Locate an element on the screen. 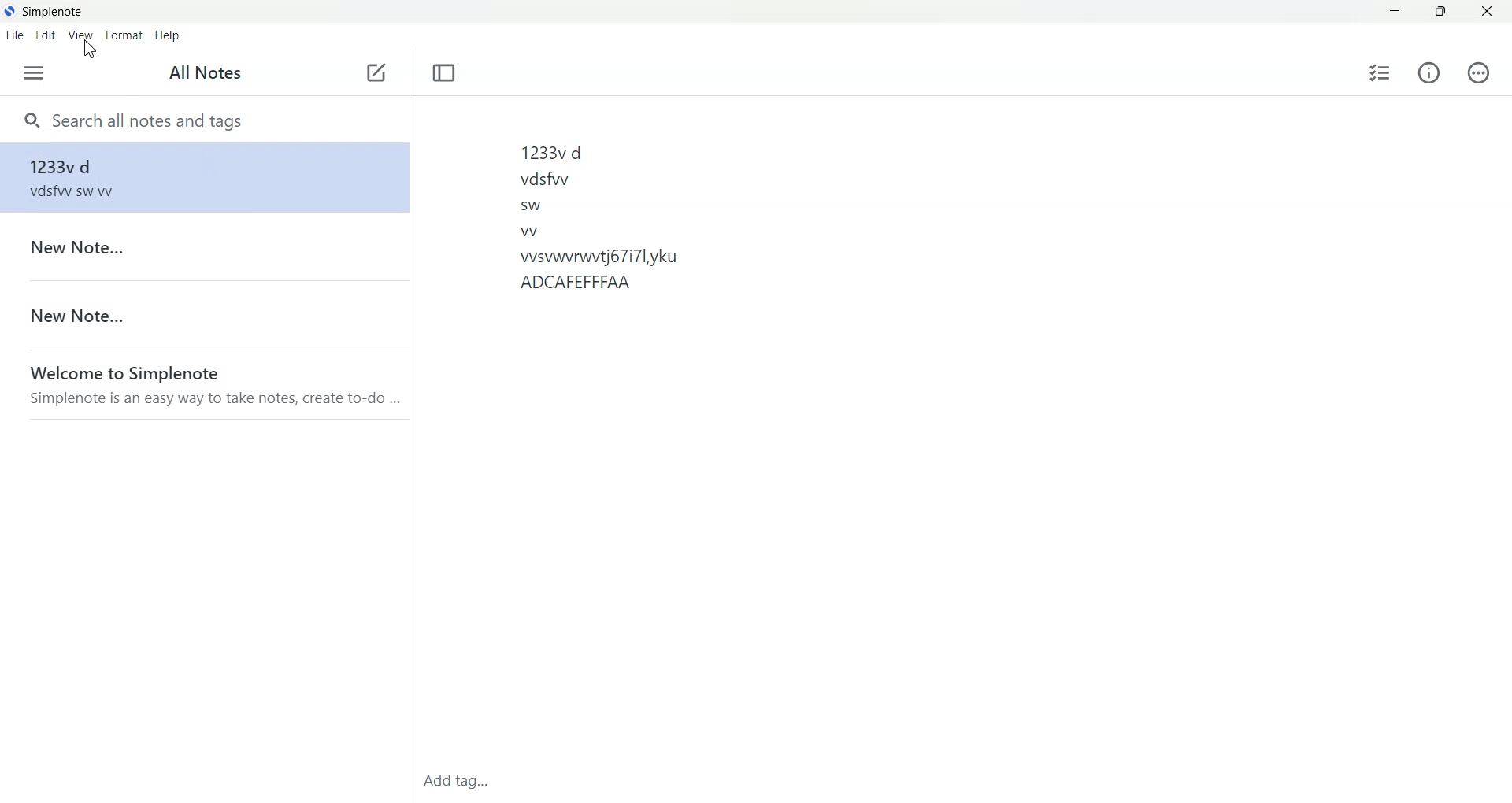 Image resolution: width=1512 pixels, height=803 pixels. All Notes is located at coordinates (208, 76).